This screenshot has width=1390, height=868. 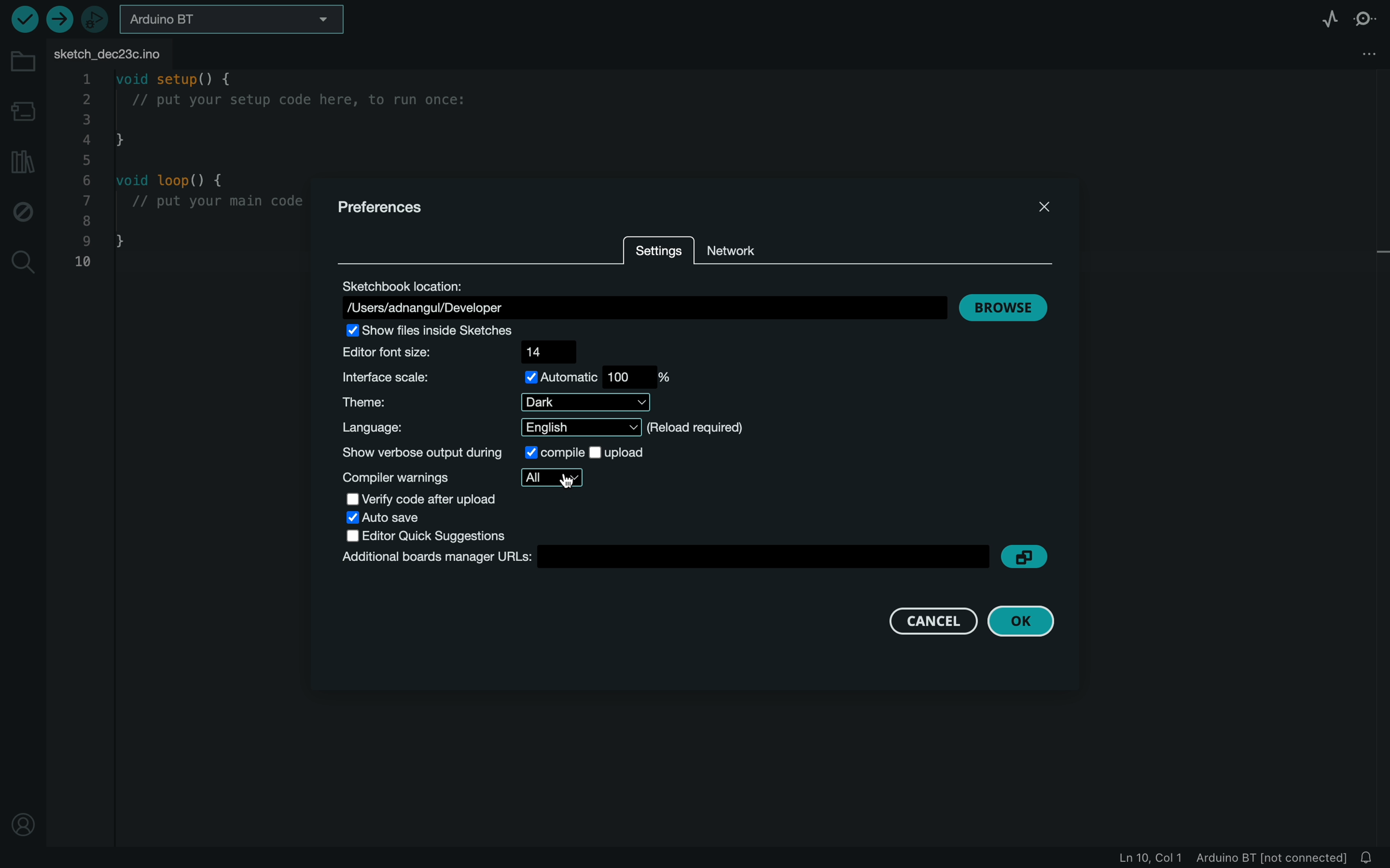 What do you see at coordinates (24, 63) in the screenshot?
I see `folder` at bounding box center [24, 63].